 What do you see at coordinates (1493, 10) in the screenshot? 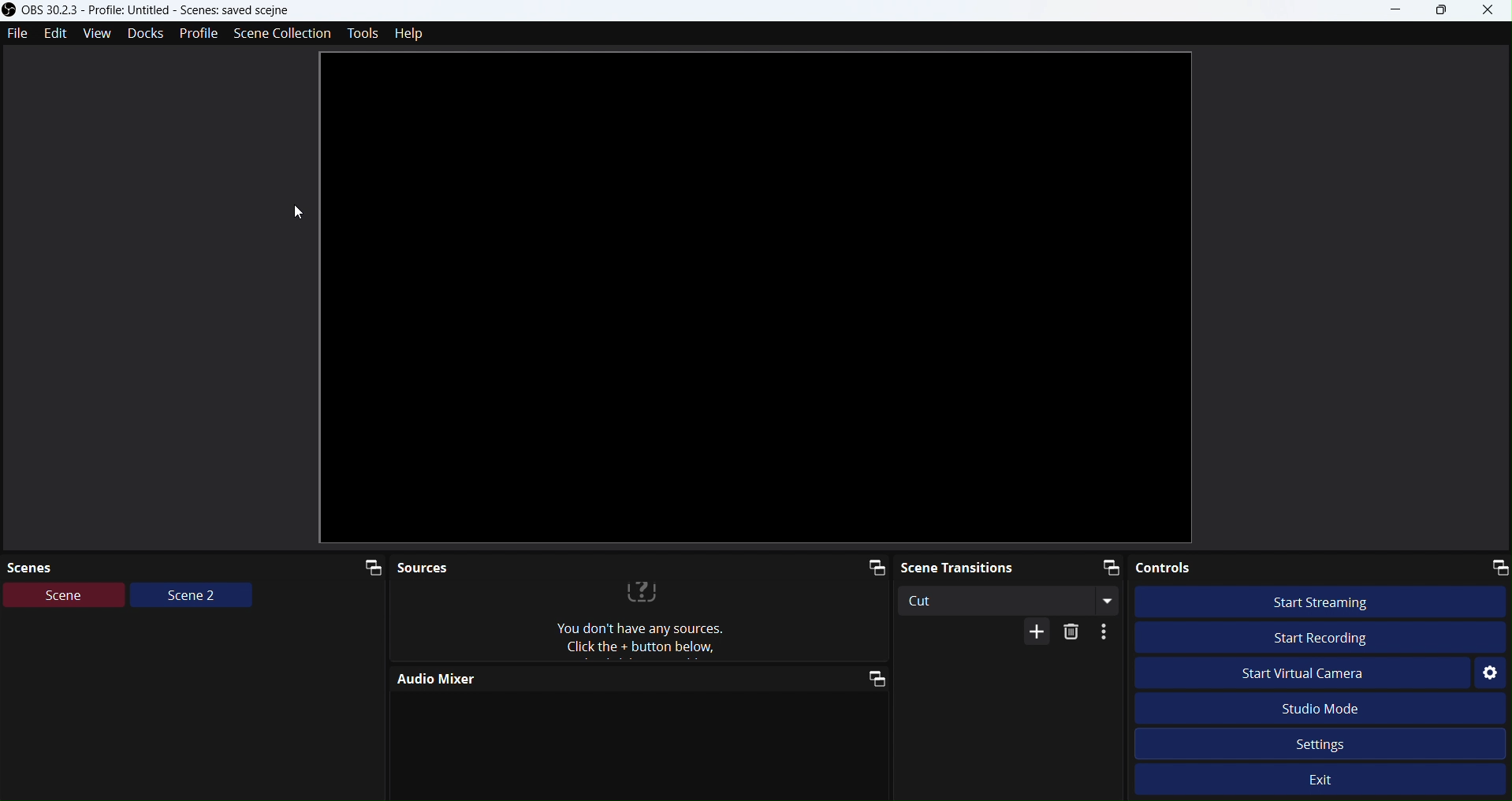
I see `Close` at bounding box center [1493, 10].